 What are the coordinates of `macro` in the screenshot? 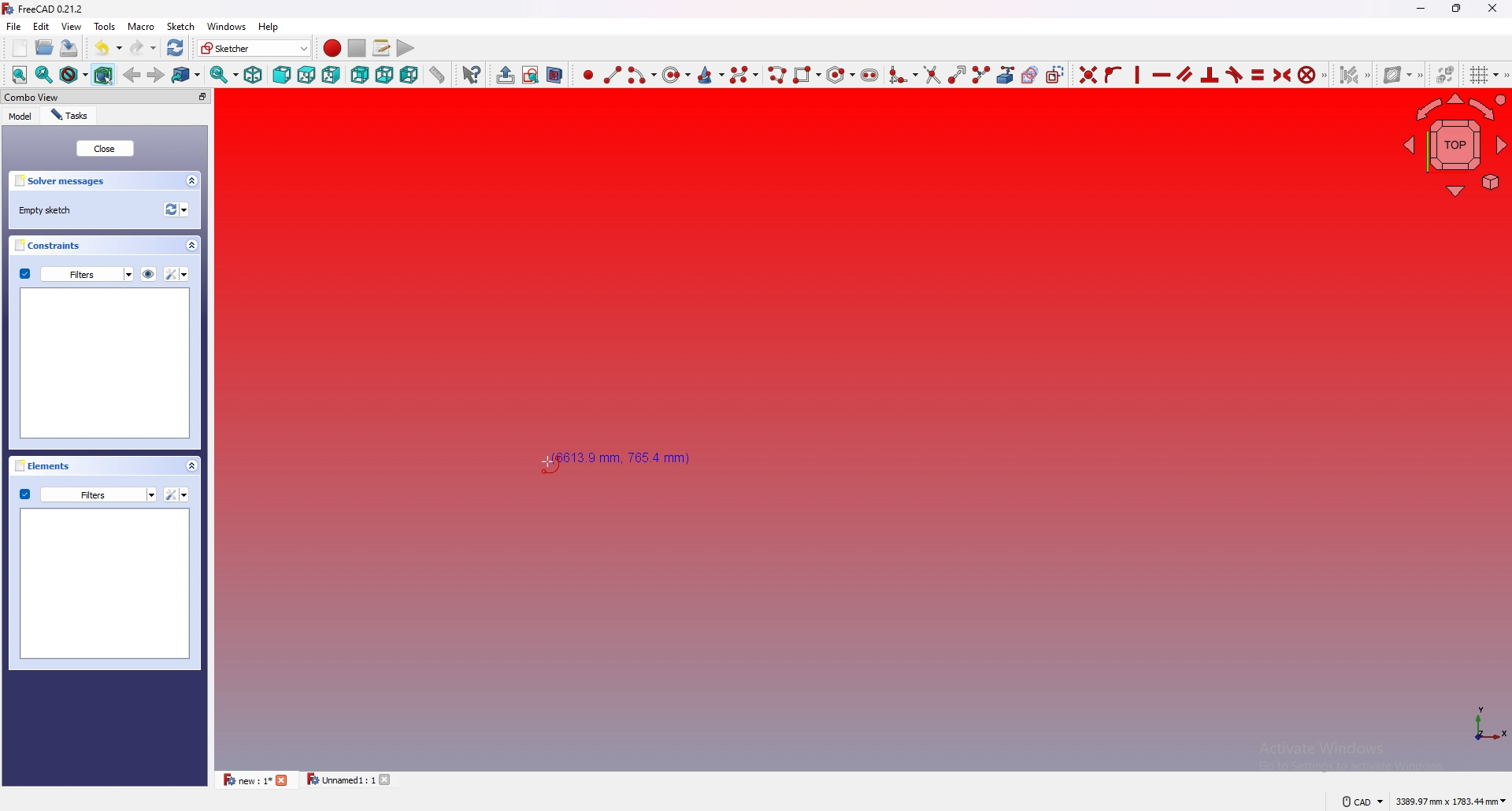 It's located at (140, 25).